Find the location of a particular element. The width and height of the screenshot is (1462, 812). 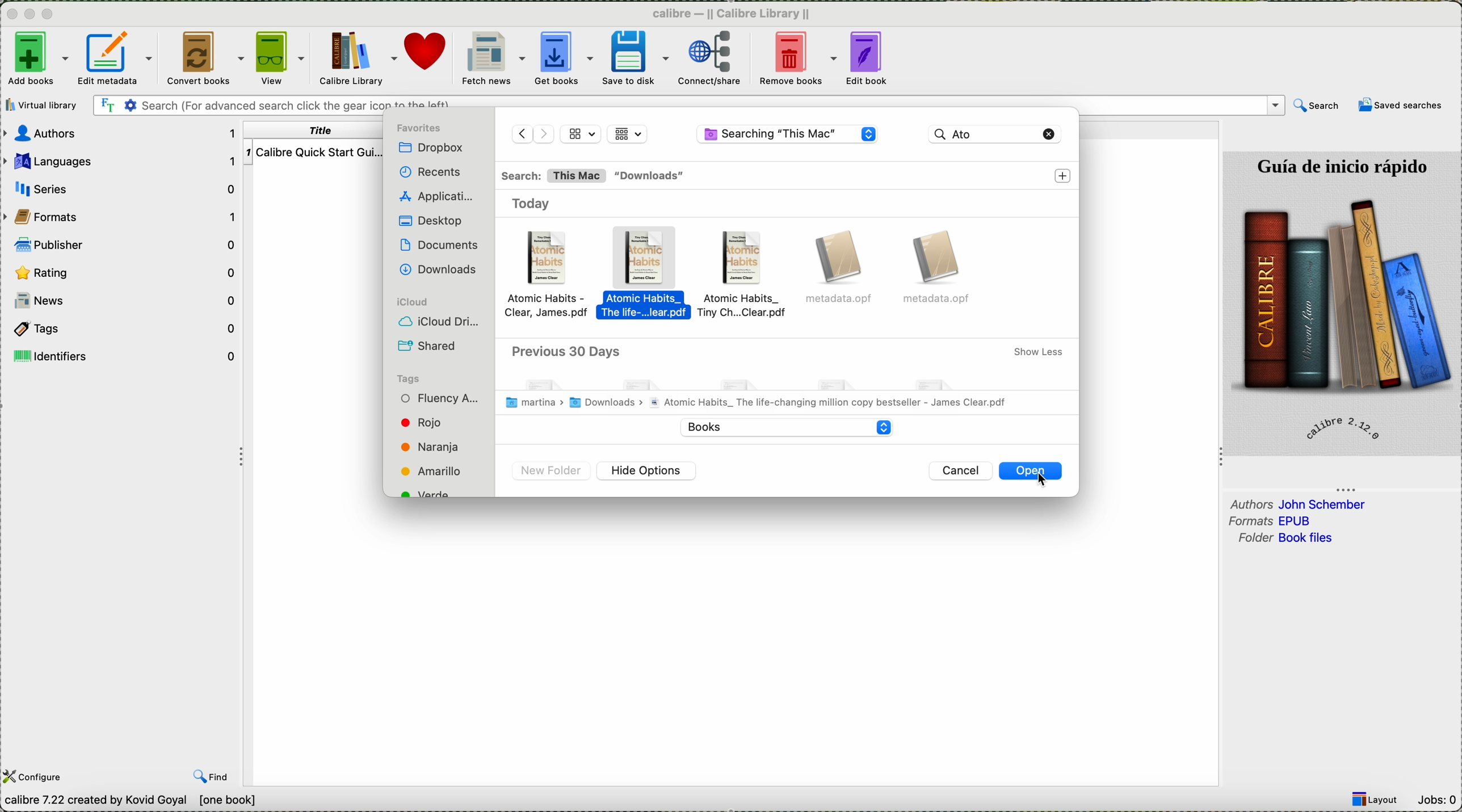

remove is located at coordinates (1050, 133).